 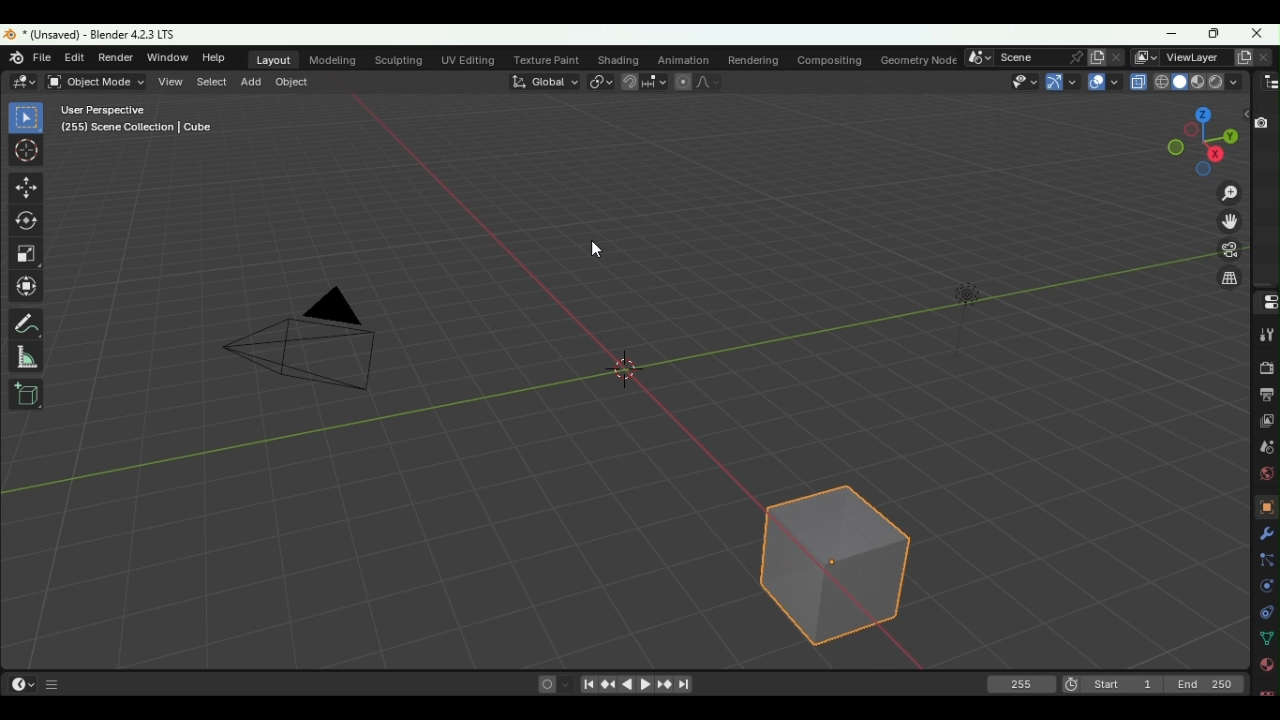 I want to click on Cursor, so click(x=28, y=150).